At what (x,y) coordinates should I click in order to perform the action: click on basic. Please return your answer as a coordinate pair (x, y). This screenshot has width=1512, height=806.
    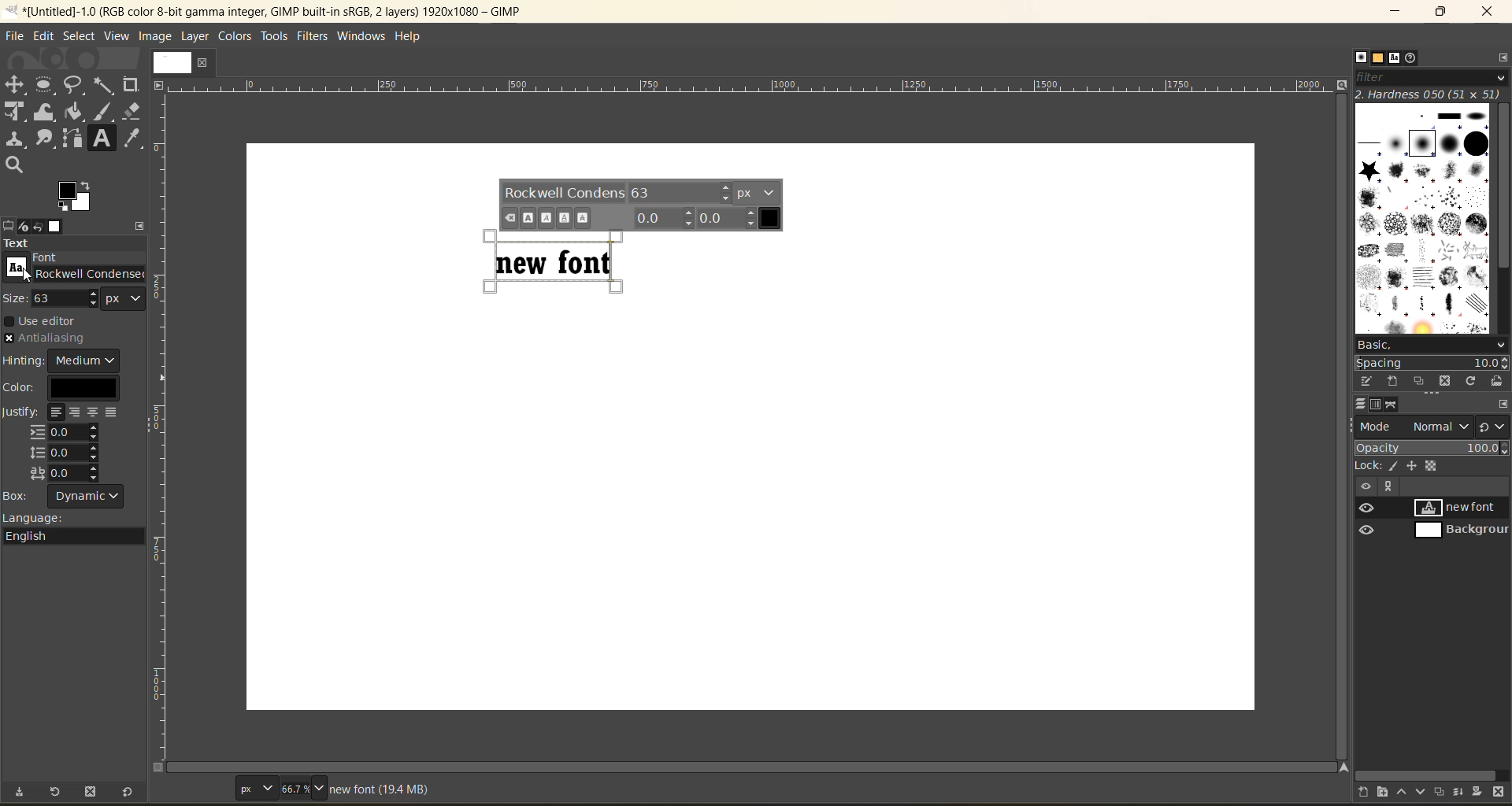
    Looking at the image, I should click on (1432, 346).